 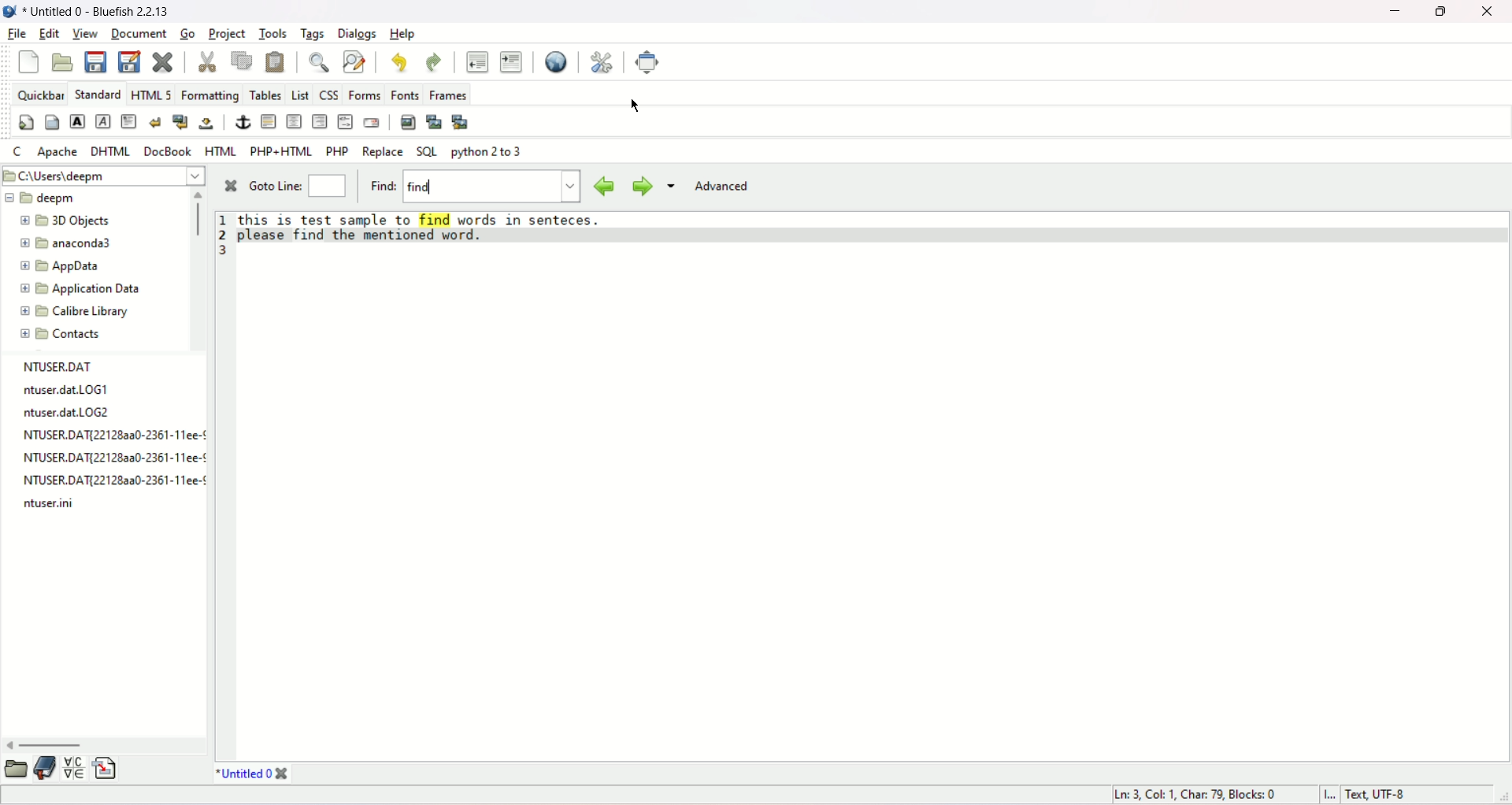 I want to click on paragraph, so click(x=130, y=122).